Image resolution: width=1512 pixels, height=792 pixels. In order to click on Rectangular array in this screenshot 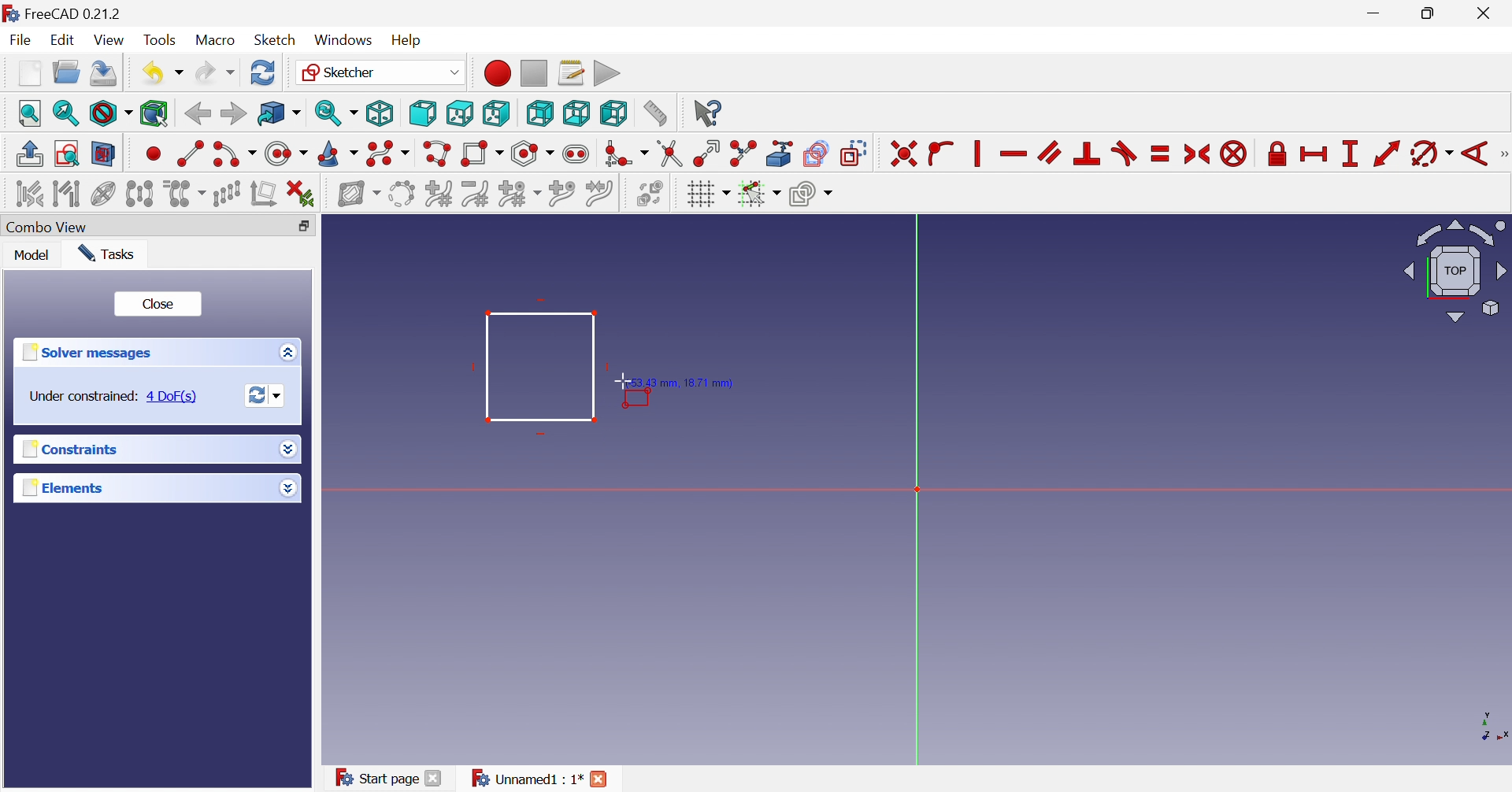, I will do `click(227, 194)`.